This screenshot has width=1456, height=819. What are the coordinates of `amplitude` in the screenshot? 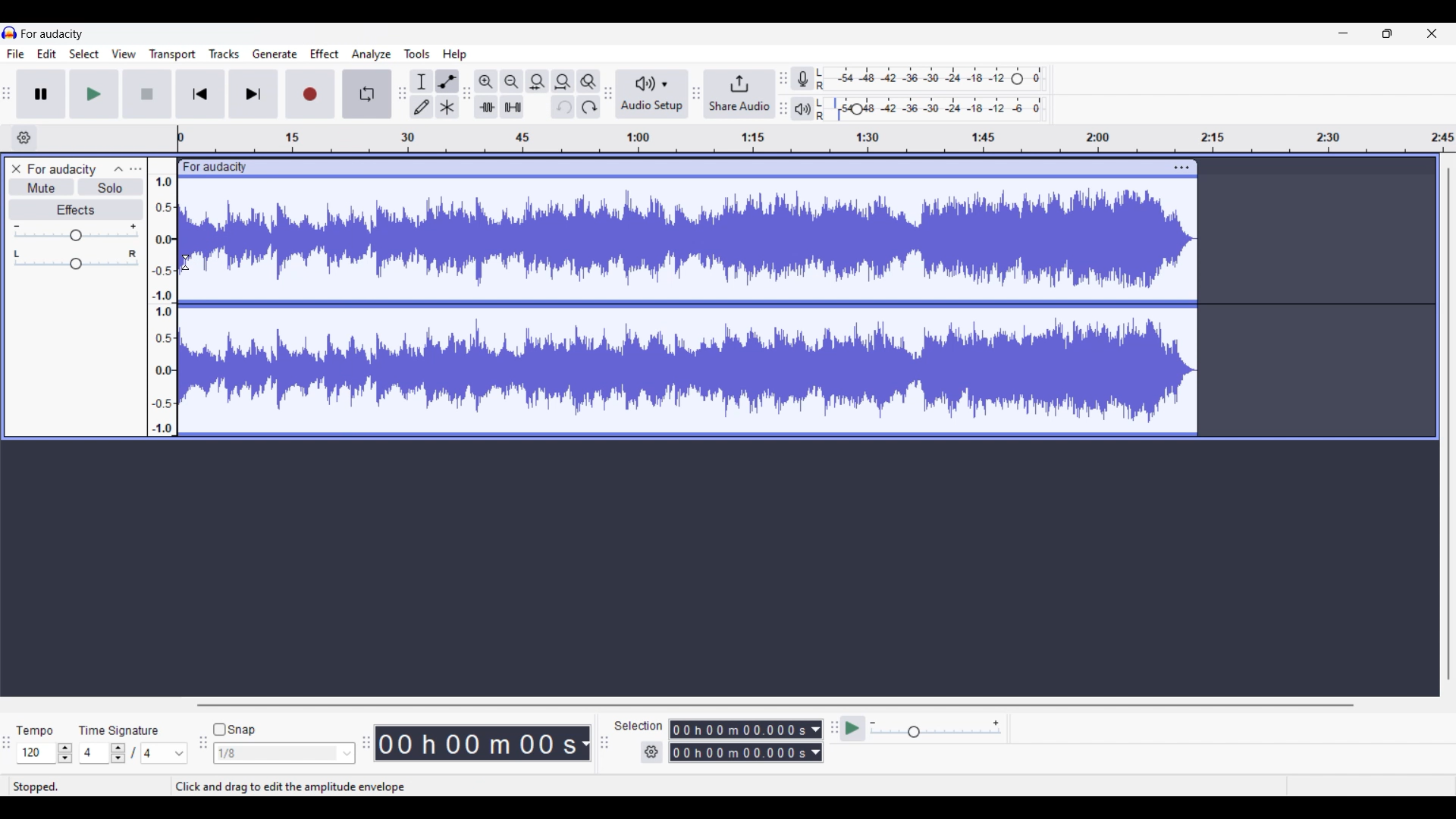 It's located at (163, 305).